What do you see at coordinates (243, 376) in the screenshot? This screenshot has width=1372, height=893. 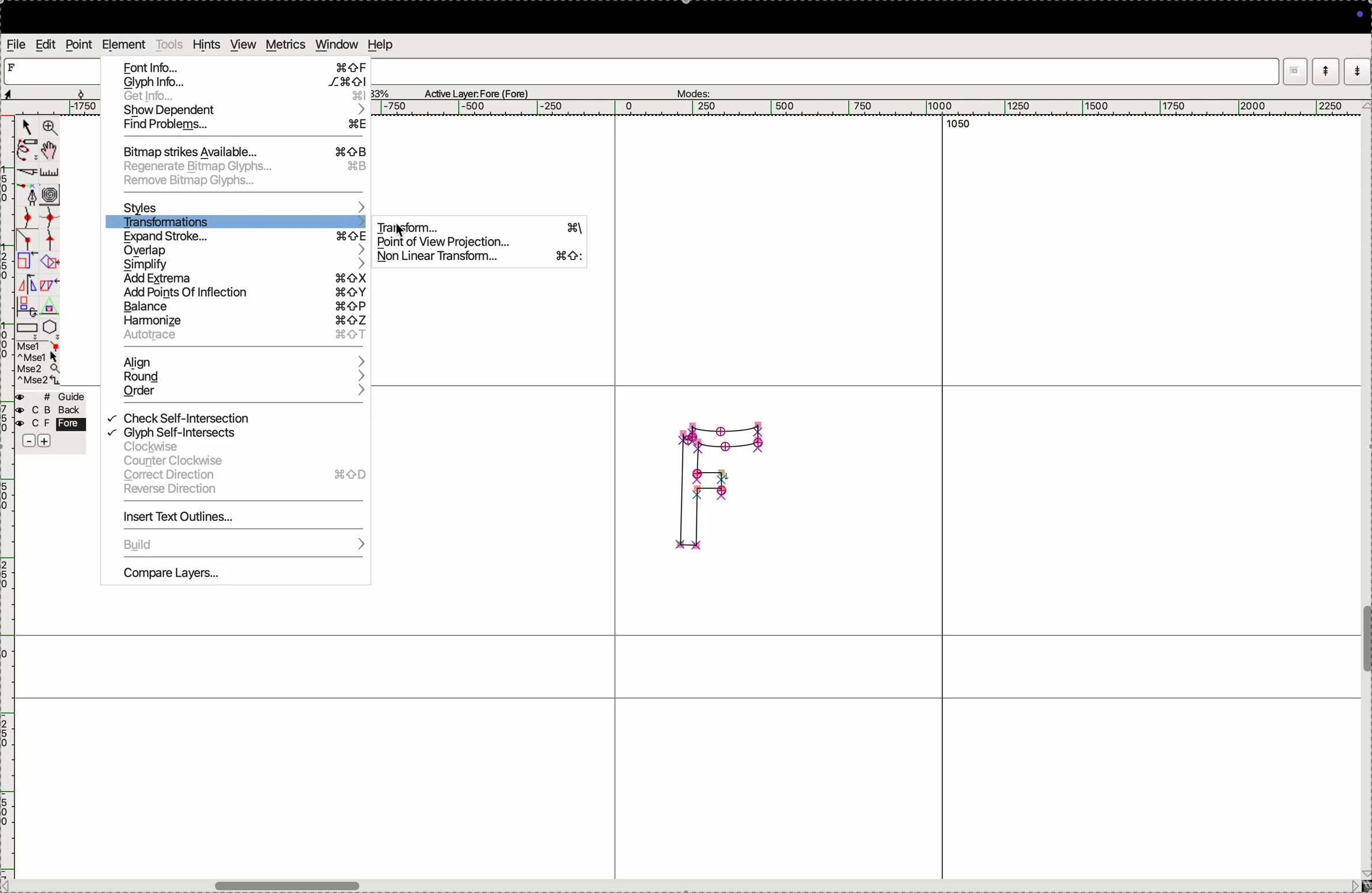 I see `round` at bounding box center [243, 376].